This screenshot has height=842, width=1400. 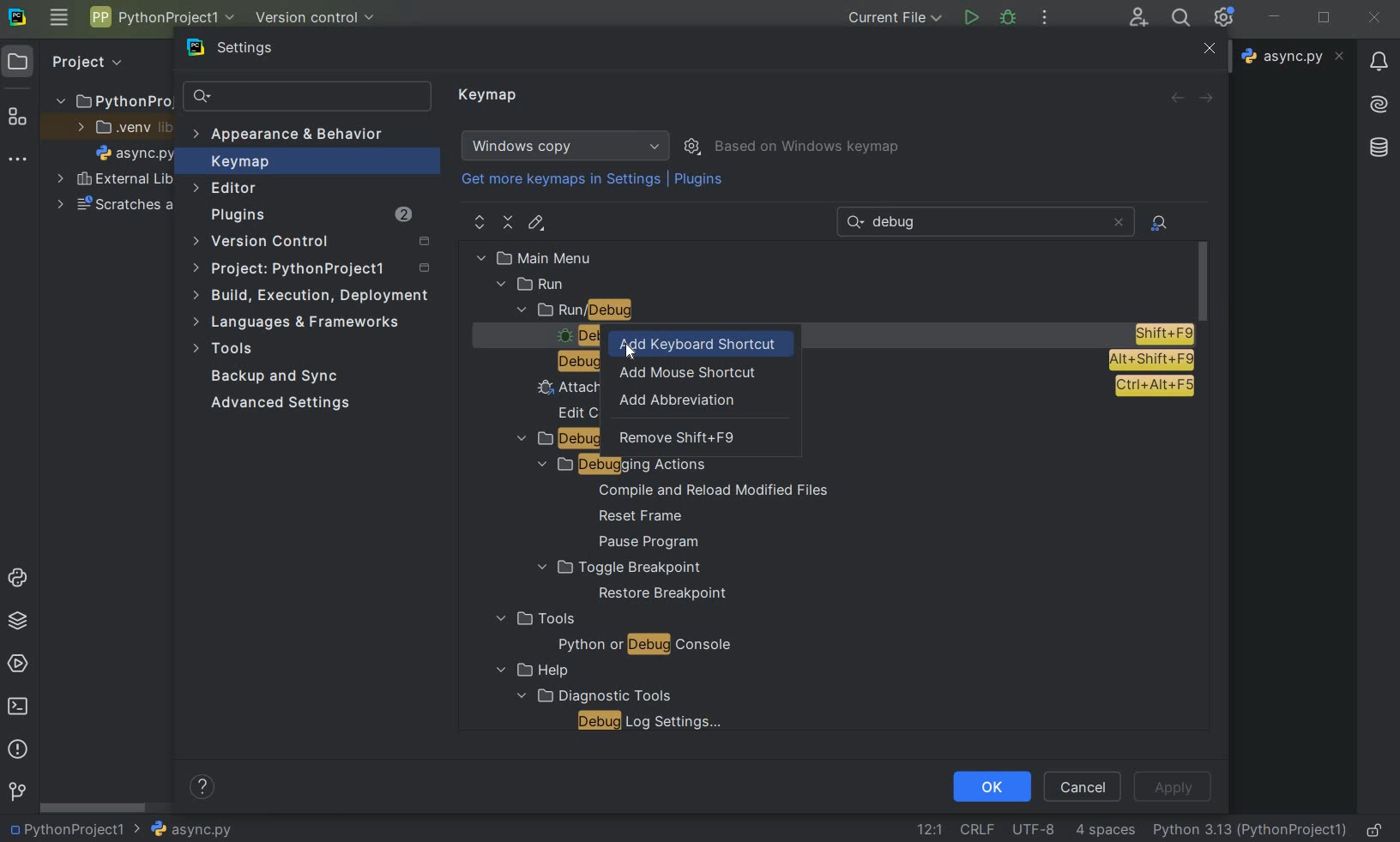 I want to click on indent, so click(x=1105, y=830).